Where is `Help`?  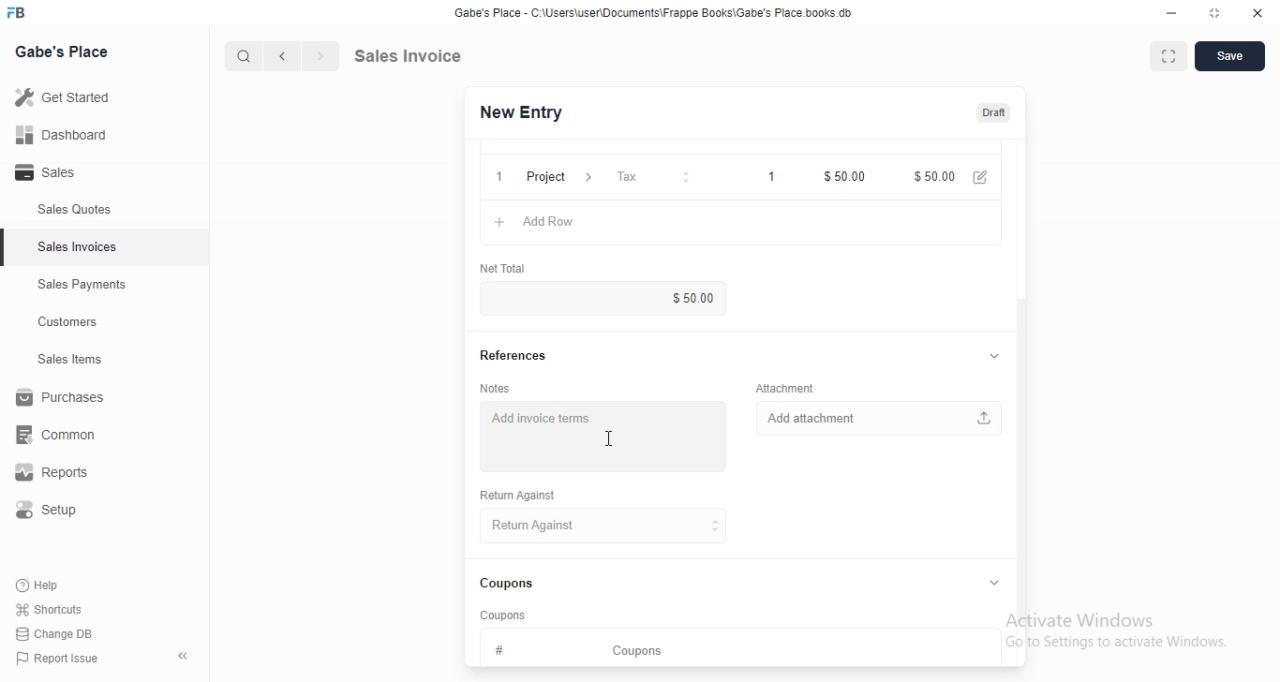 Help is located at coordinates (57, 584).